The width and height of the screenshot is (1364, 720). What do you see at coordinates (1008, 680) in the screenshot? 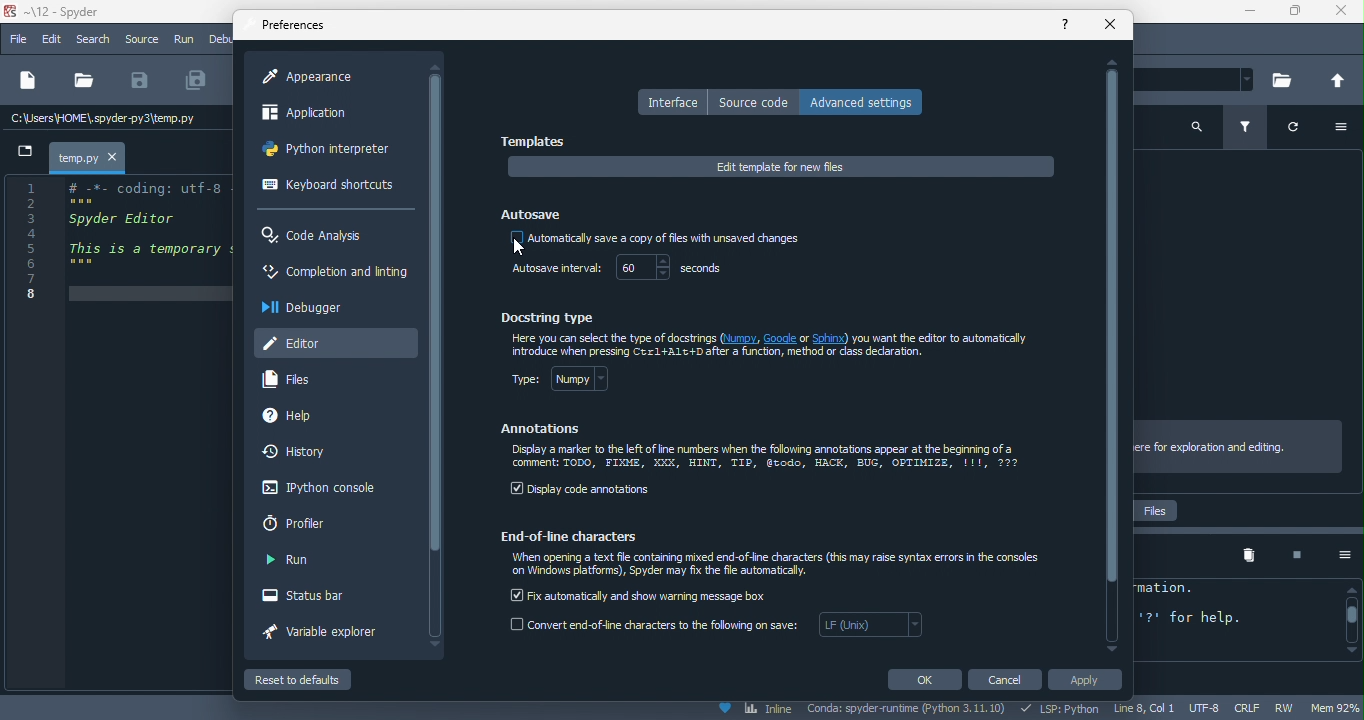
I see `cancel` at bounding box center [1008, 680].